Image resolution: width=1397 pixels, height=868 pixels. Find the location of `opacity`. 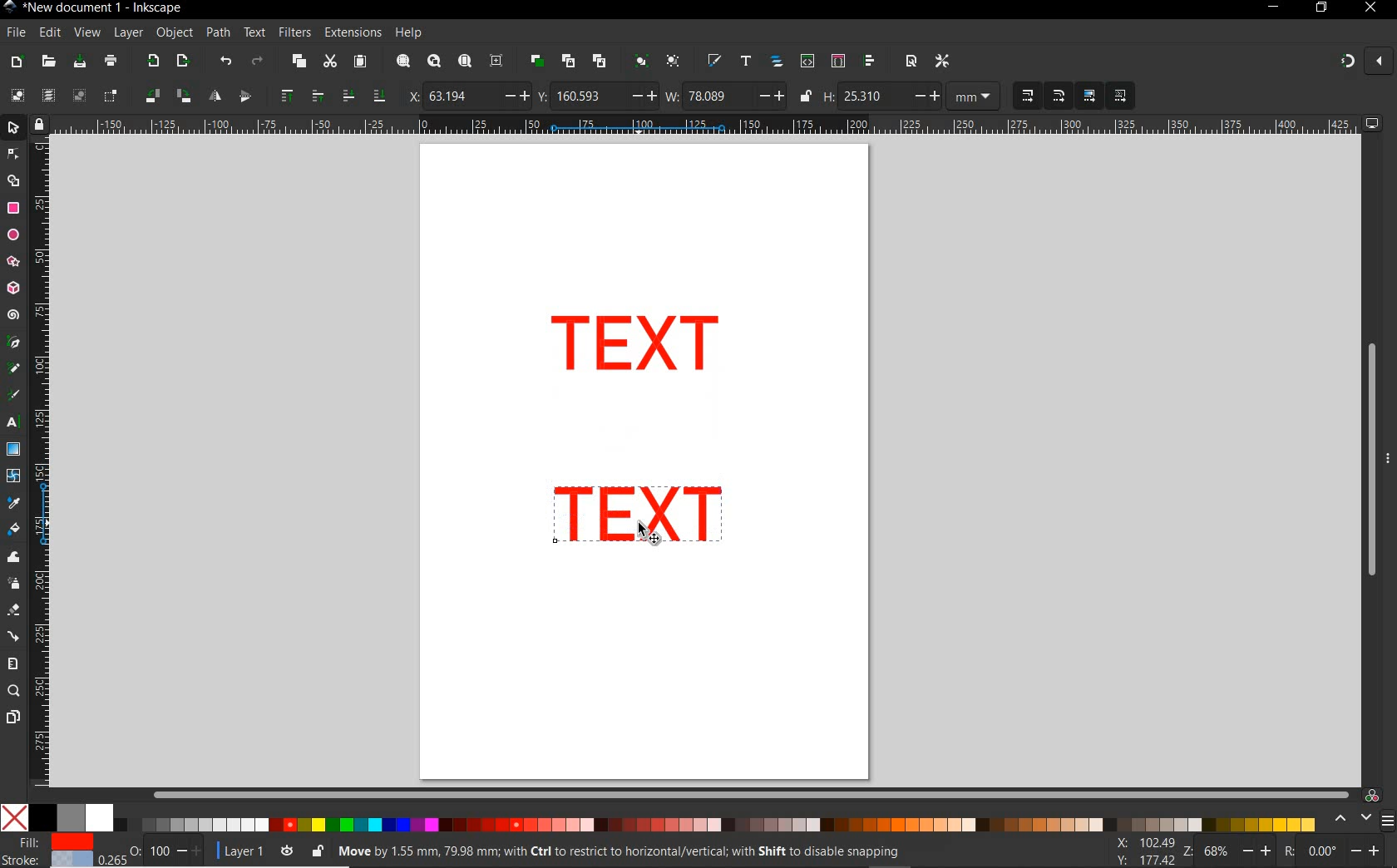

opacity is located at coordinates (153, 850).